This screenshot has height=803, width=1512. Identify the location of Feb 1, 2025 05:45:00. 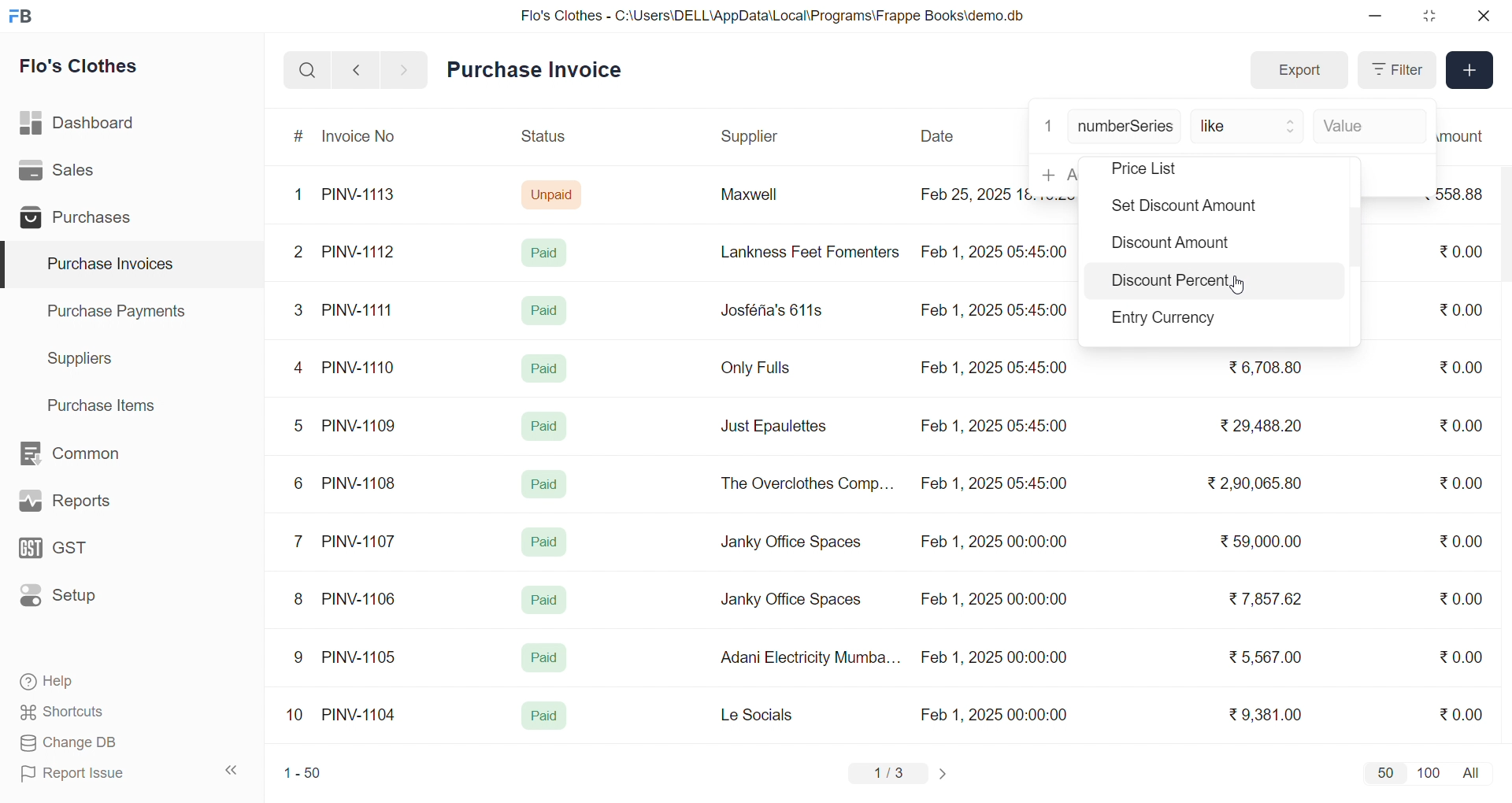
(996, 368).